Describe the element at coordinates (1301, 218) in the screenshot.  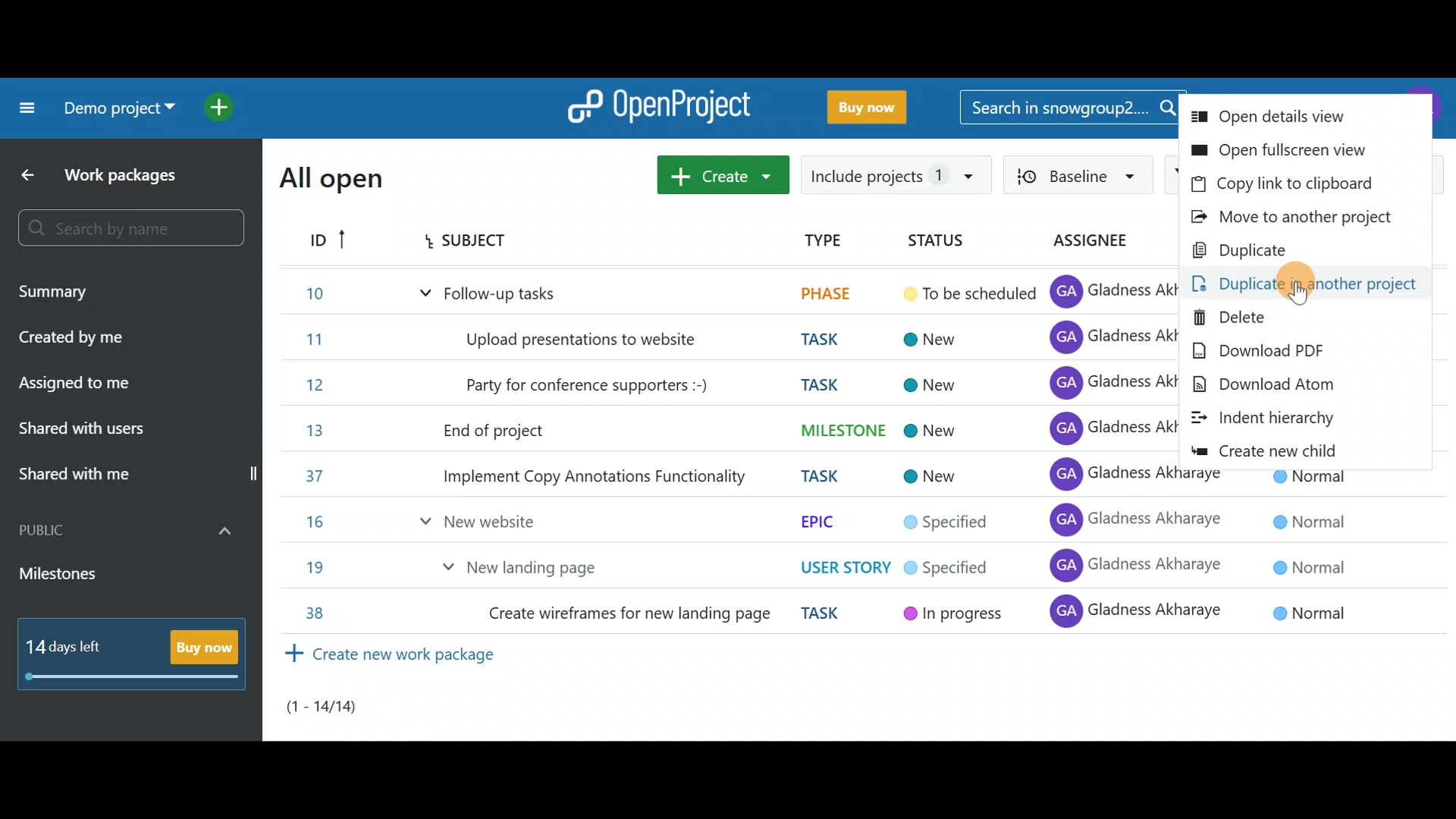
I see `Move to another project` at that location.